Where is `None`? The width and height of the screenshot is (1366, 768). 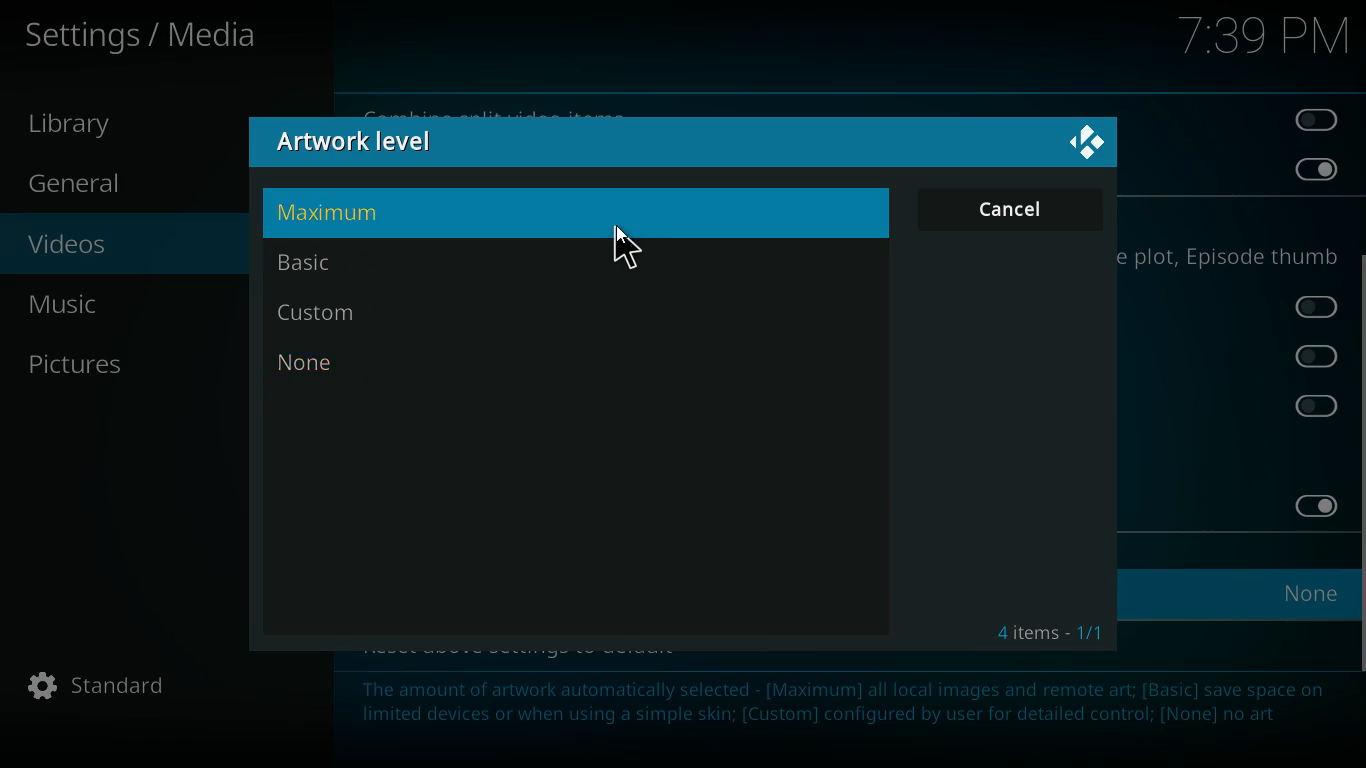
None is located at coordinates (1316, 591).